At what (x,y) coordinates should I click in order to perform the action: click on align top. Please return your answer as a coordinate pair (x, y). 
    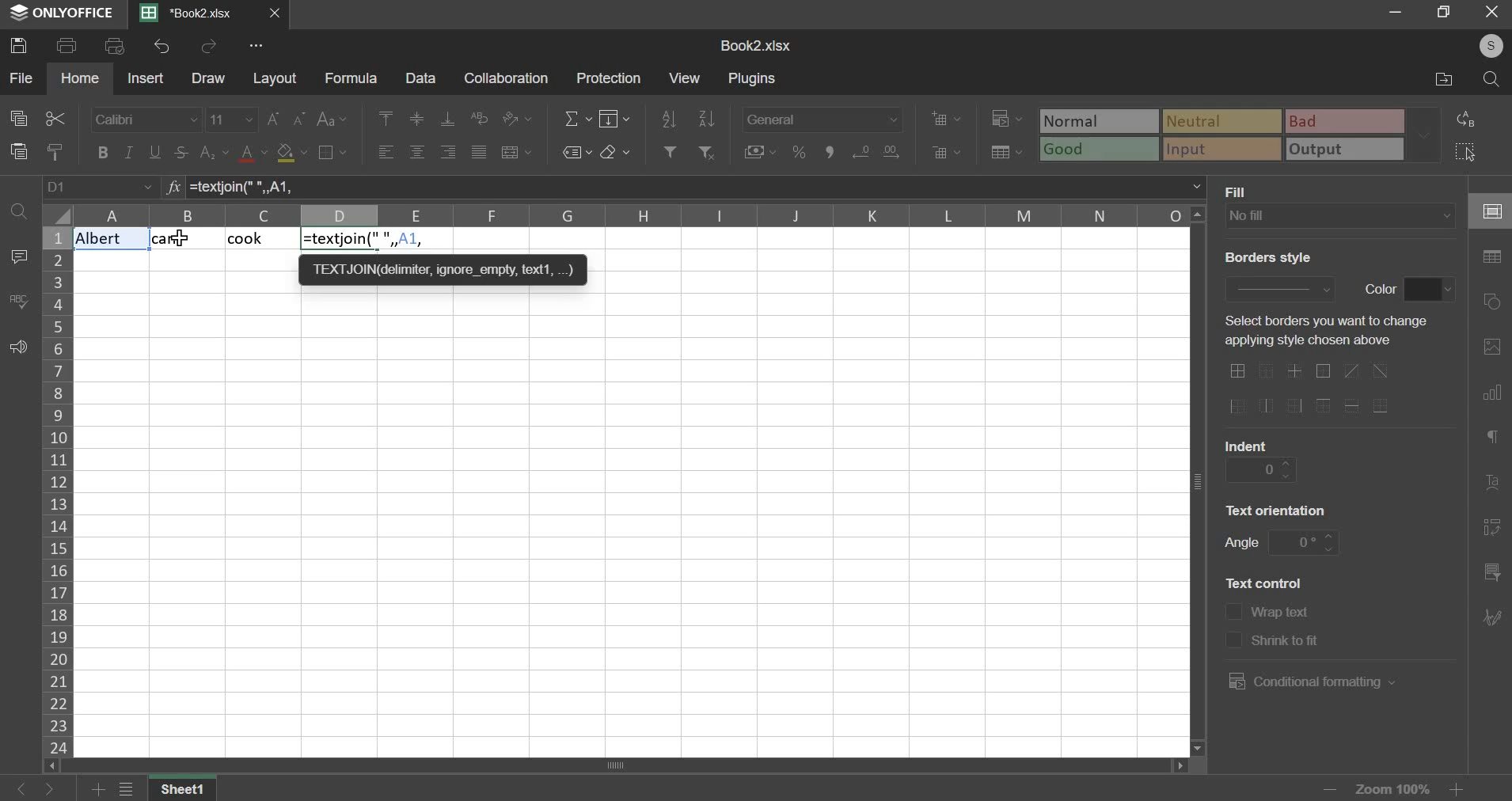
    Looking at the image, I should click on (386, 119).